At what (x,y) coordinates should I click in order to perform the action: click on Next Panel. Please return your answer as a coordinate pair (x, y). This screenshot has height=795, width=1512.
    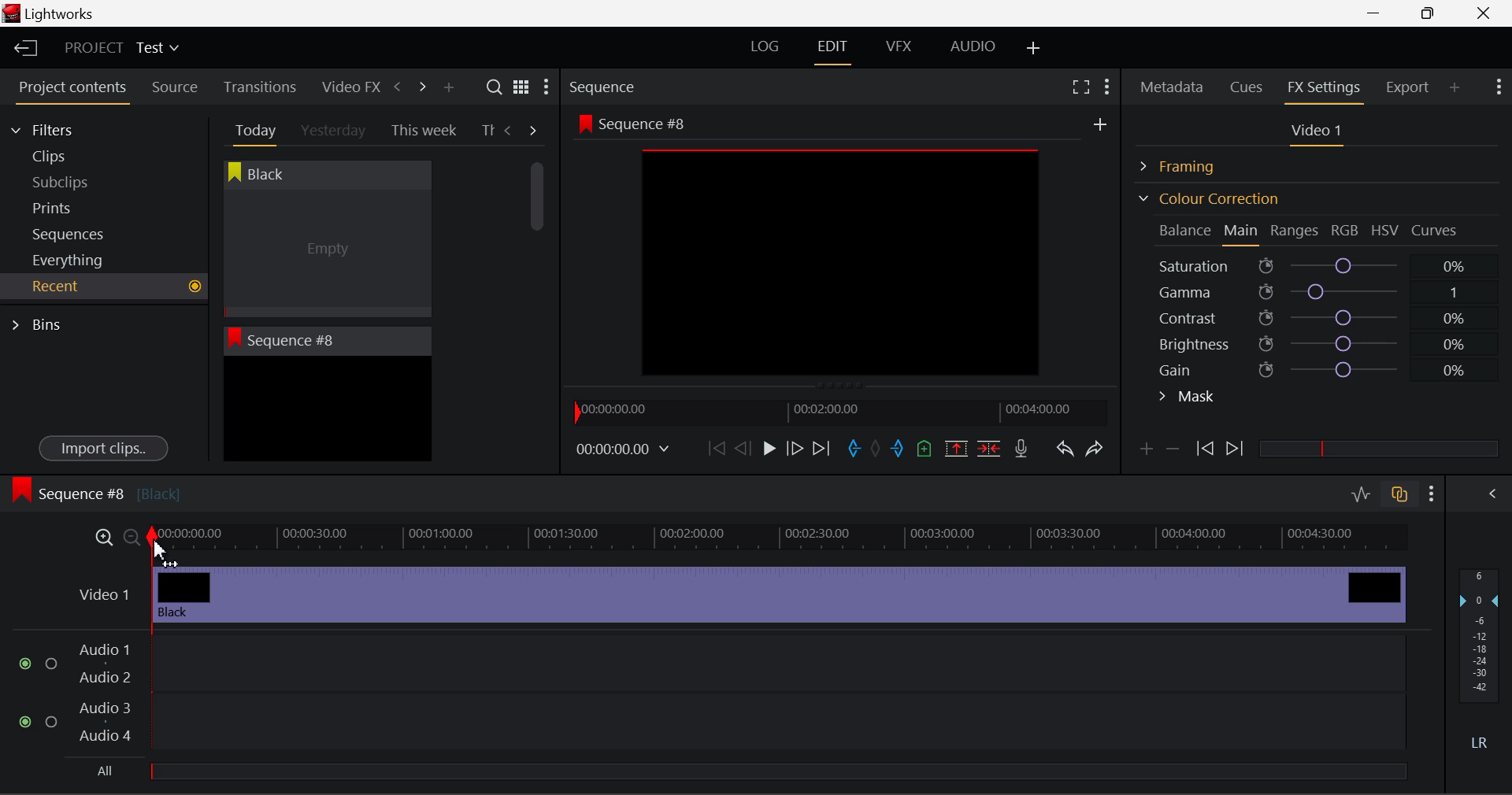
    Looking at the image, I should click on (420, 86).